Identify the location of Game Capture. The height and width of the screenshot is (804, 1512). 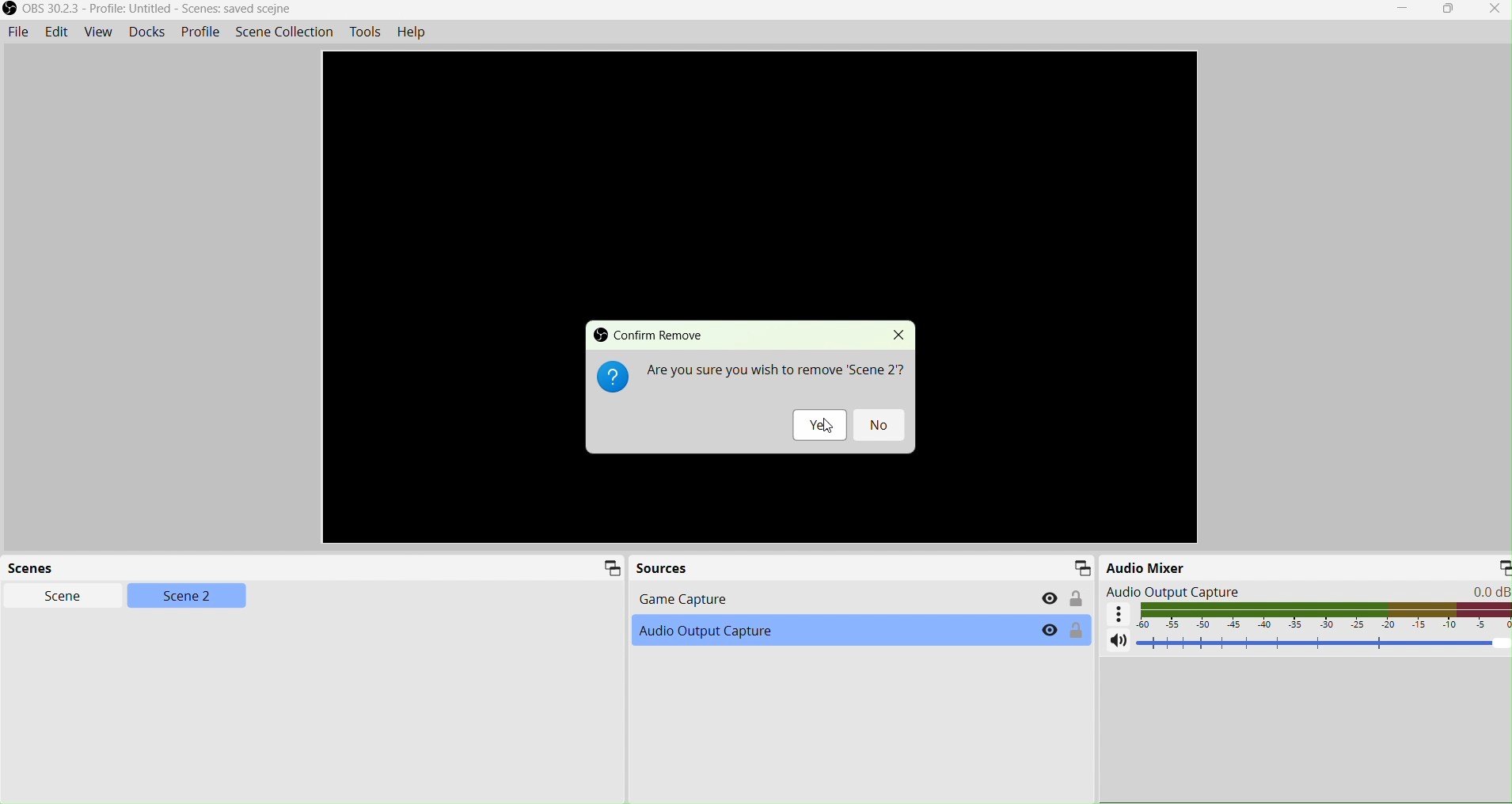
(810, 601).